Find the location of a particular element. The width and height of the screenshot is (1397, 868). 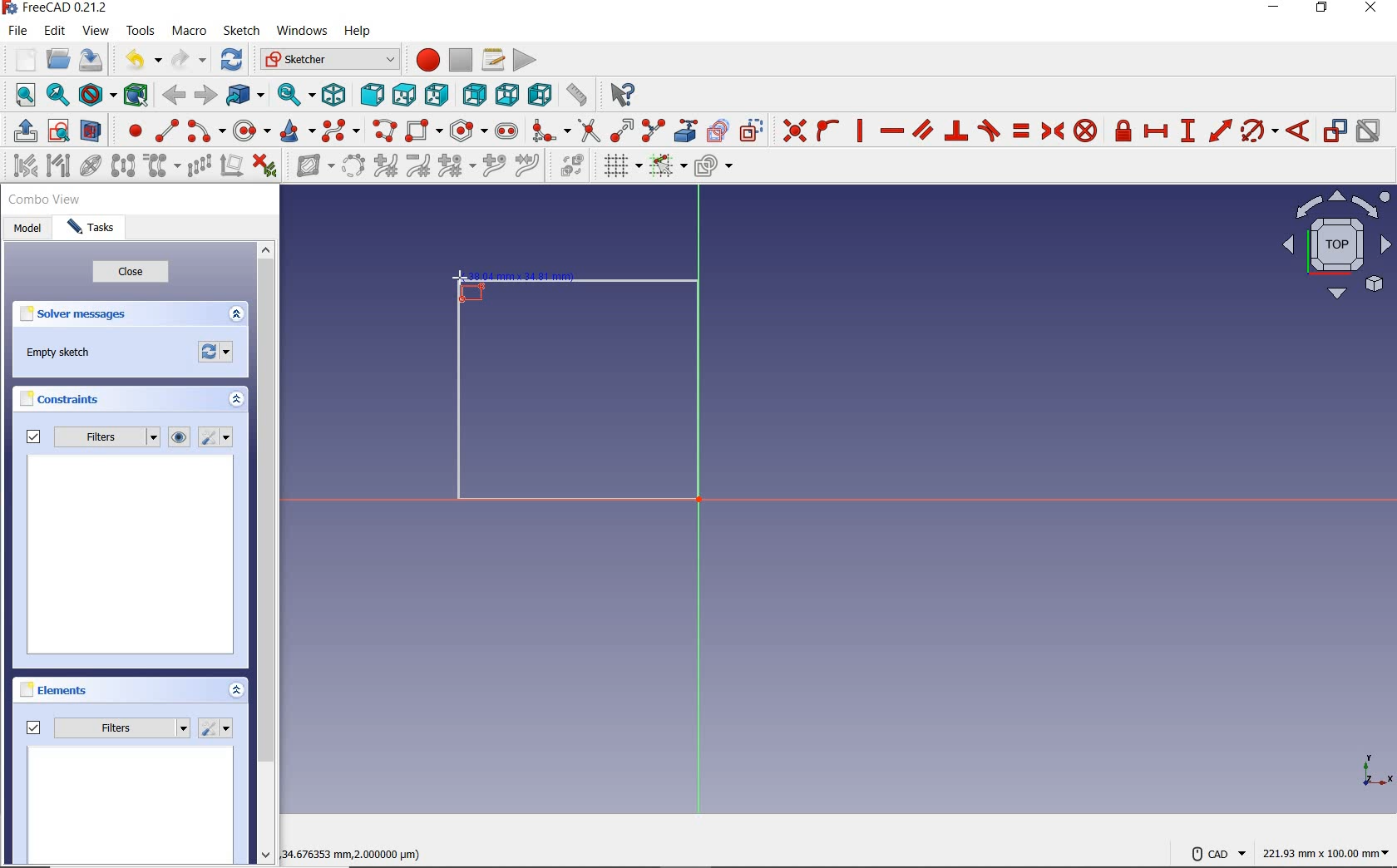

model is located at coordinates (30, 230).